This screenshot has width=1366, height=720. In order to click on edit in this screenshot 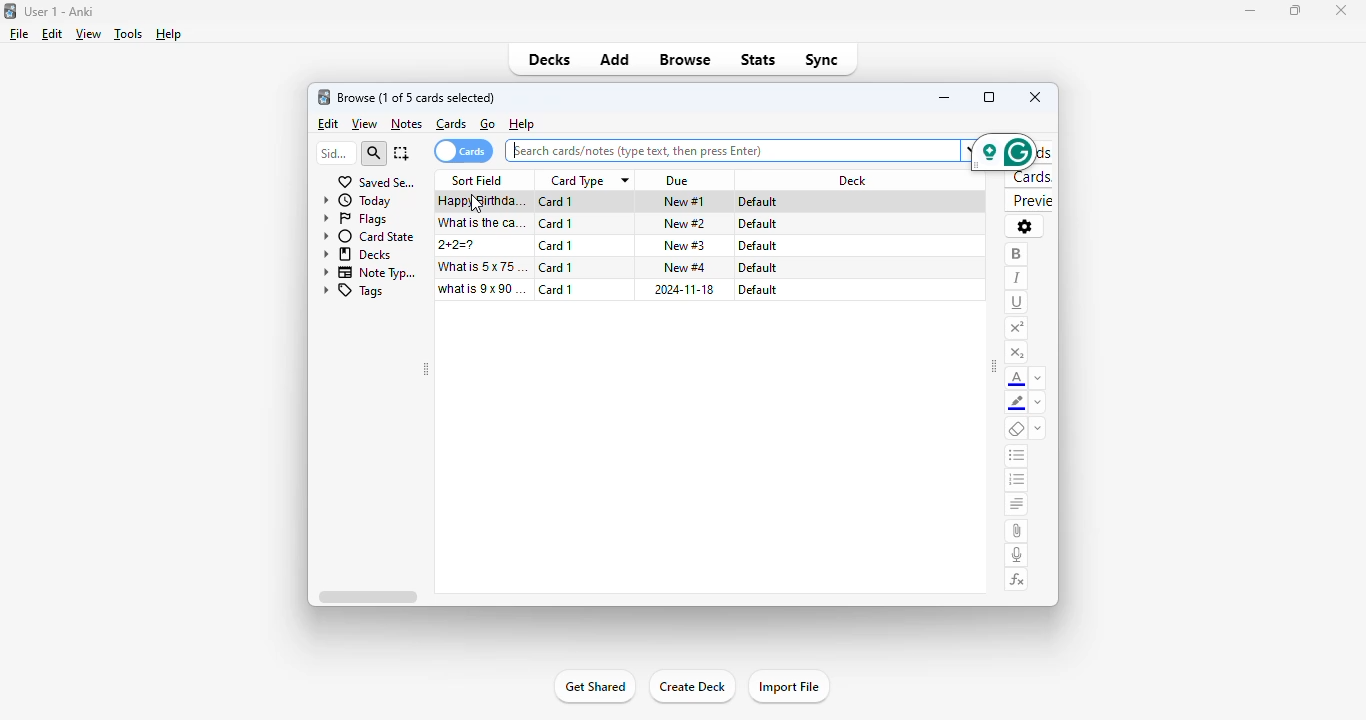, I will do `click(330, 124)`.